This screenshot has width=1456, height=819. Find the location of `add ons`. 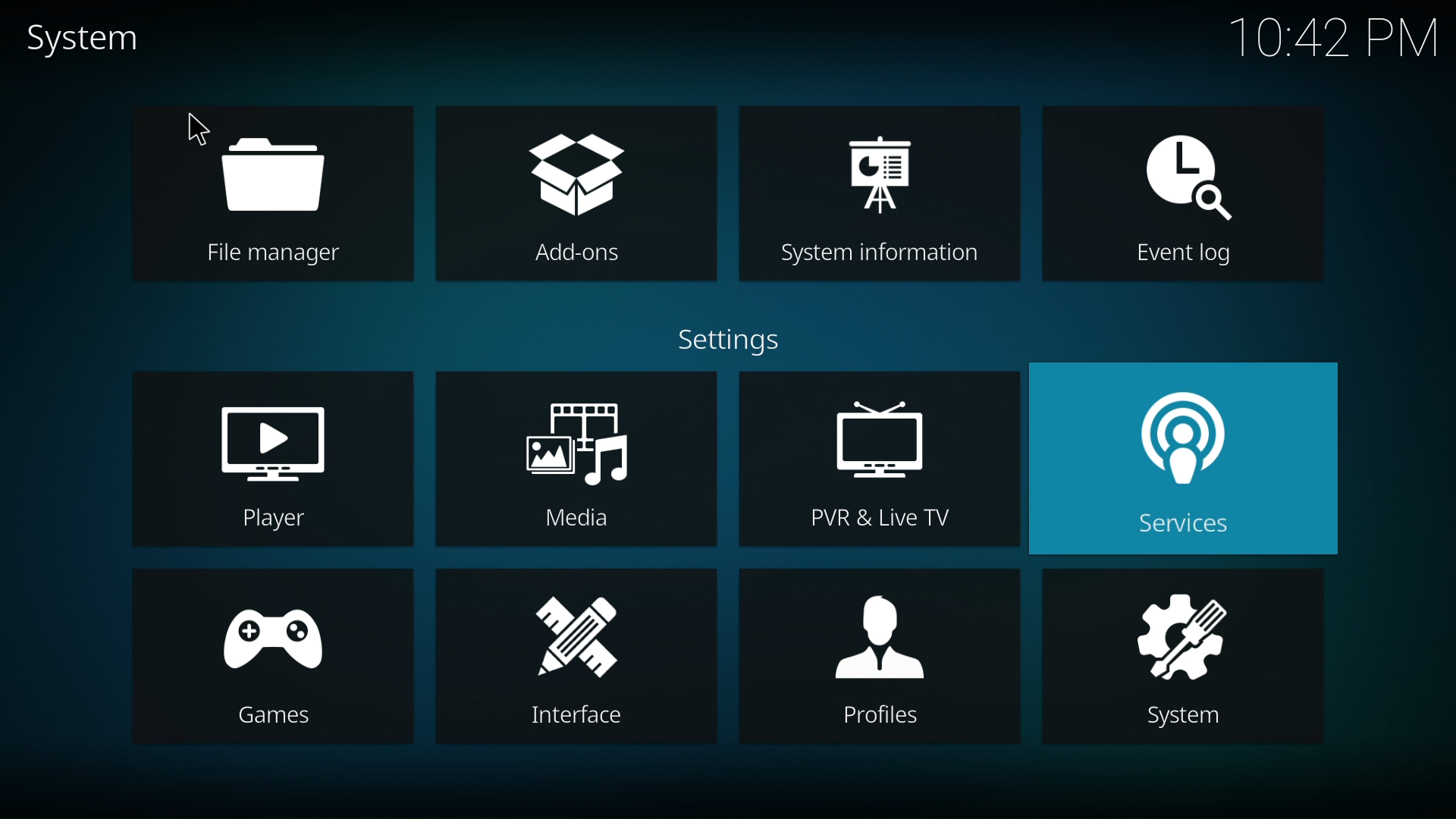

add ons is located at coordinates (570, 192).